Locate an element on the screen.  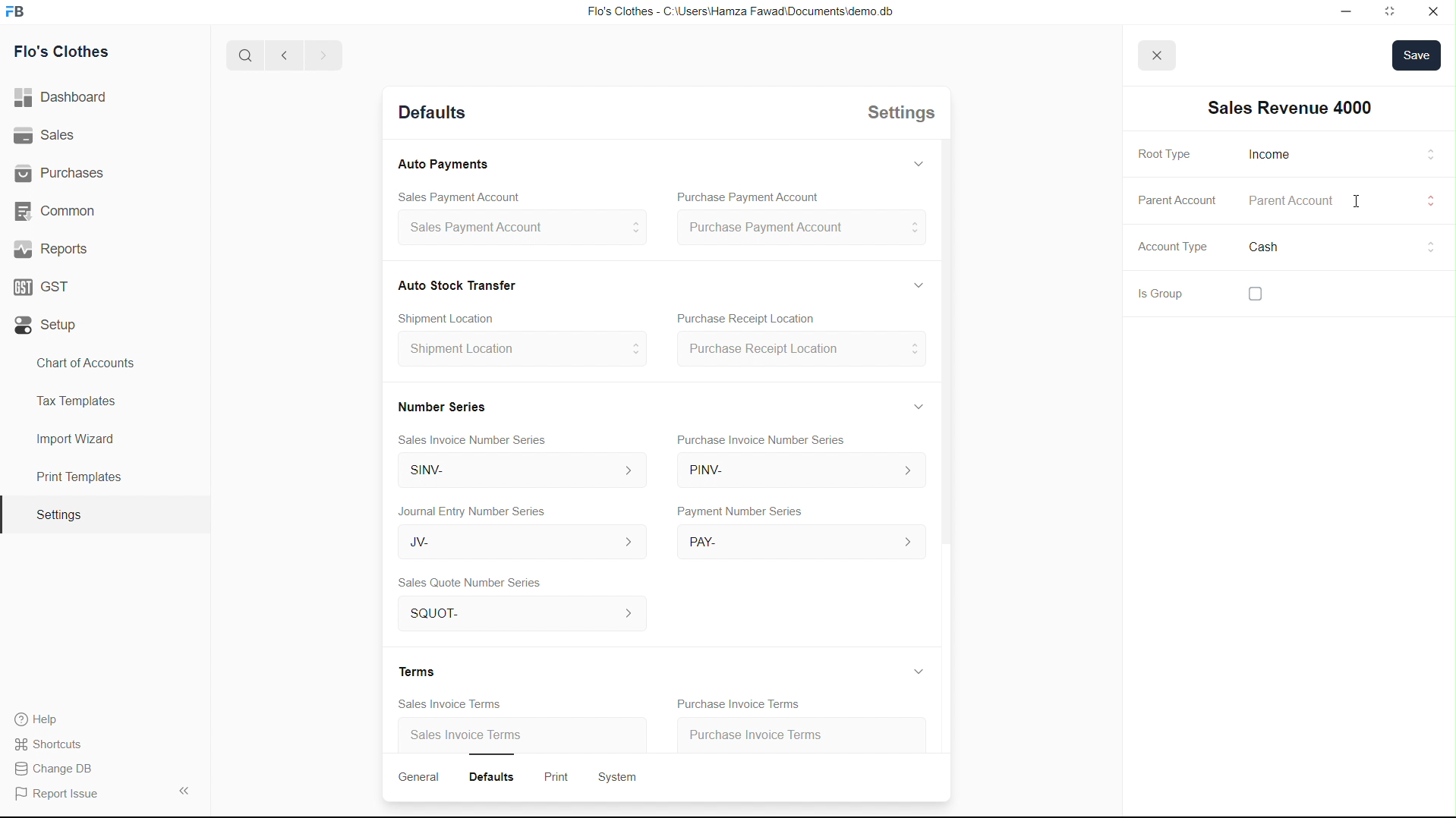
PAY- is located at coordinates (801, 540).